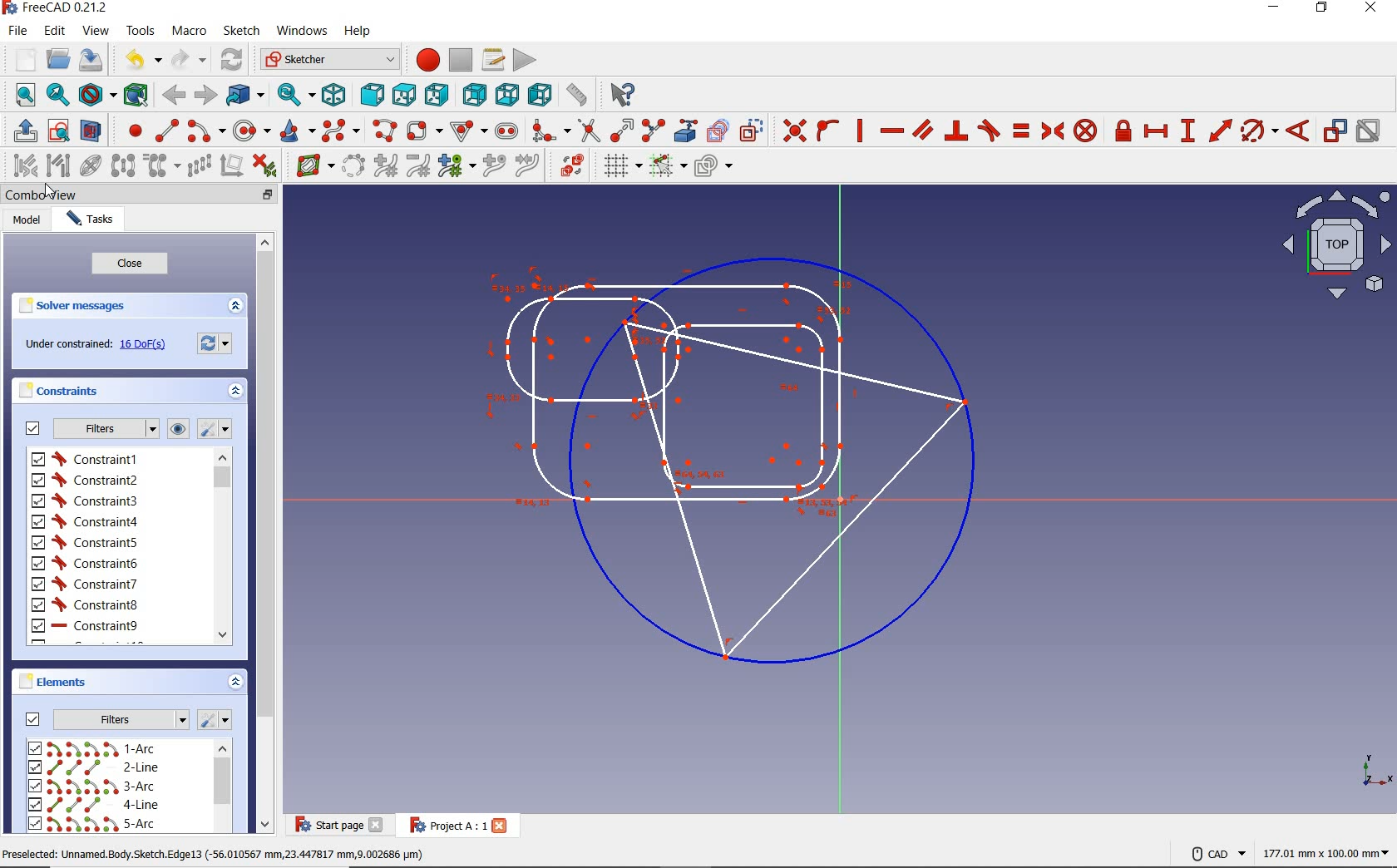  I want to click on start page, so click(327, 826).